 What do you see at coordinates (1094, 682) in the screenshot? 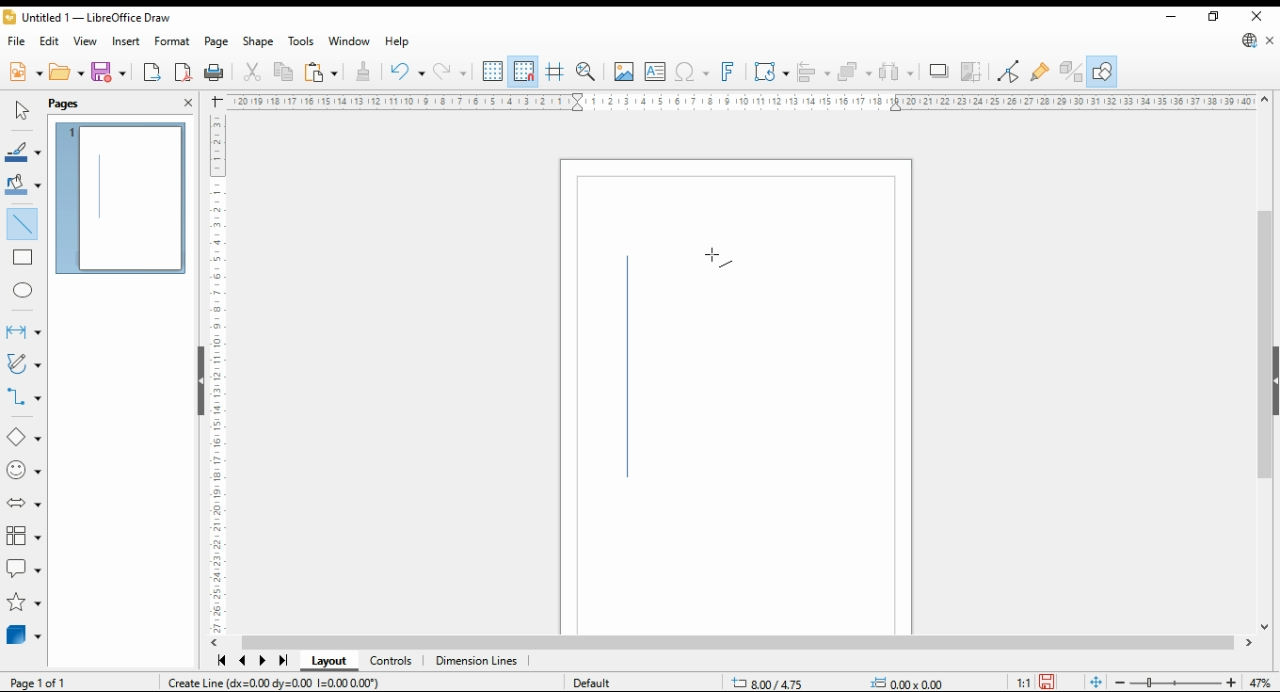
I see `fit document to window` at bounding box center [1094, 682].